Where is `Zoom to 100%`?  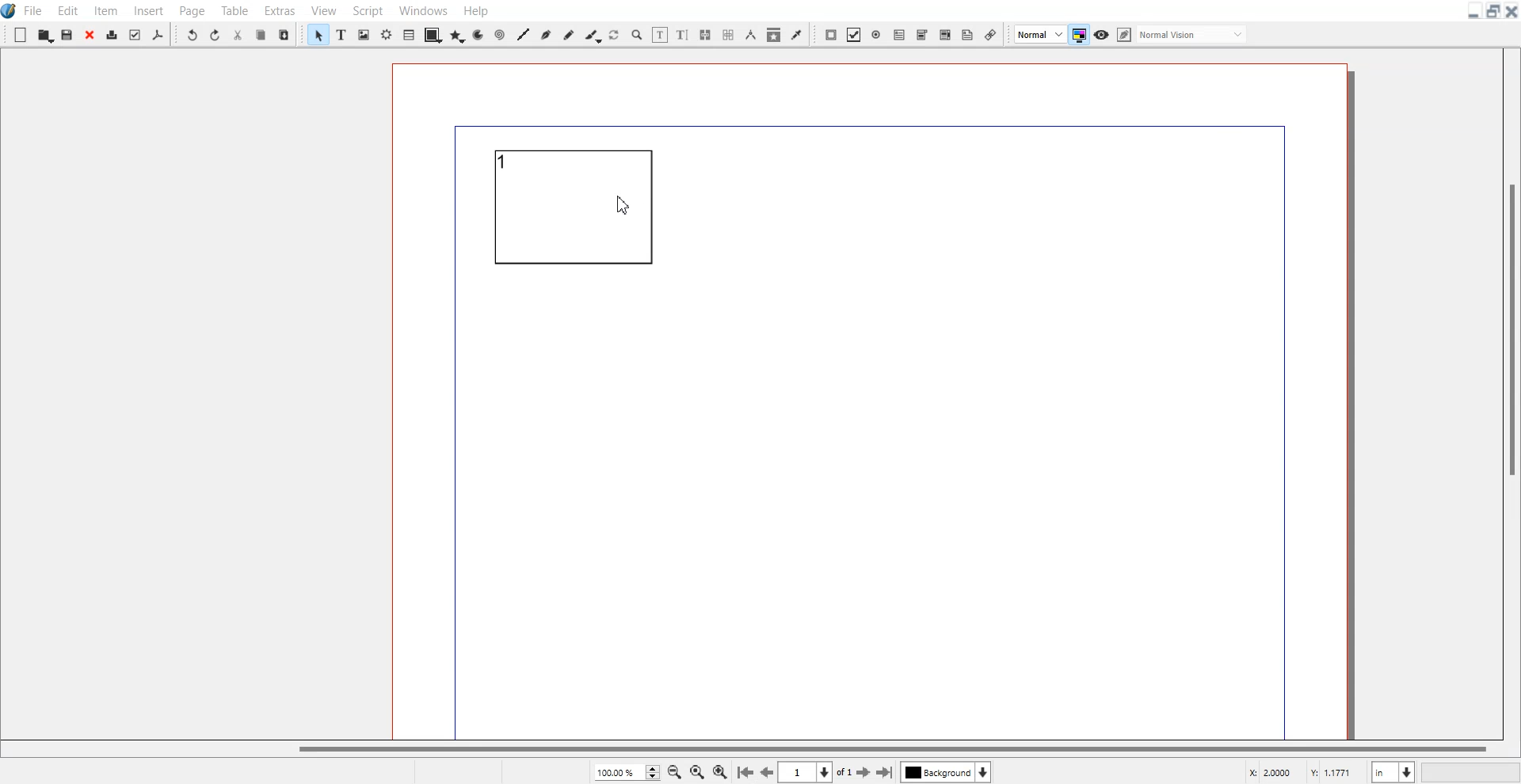 Zoom to 100% is located at coordinates (696, 771).